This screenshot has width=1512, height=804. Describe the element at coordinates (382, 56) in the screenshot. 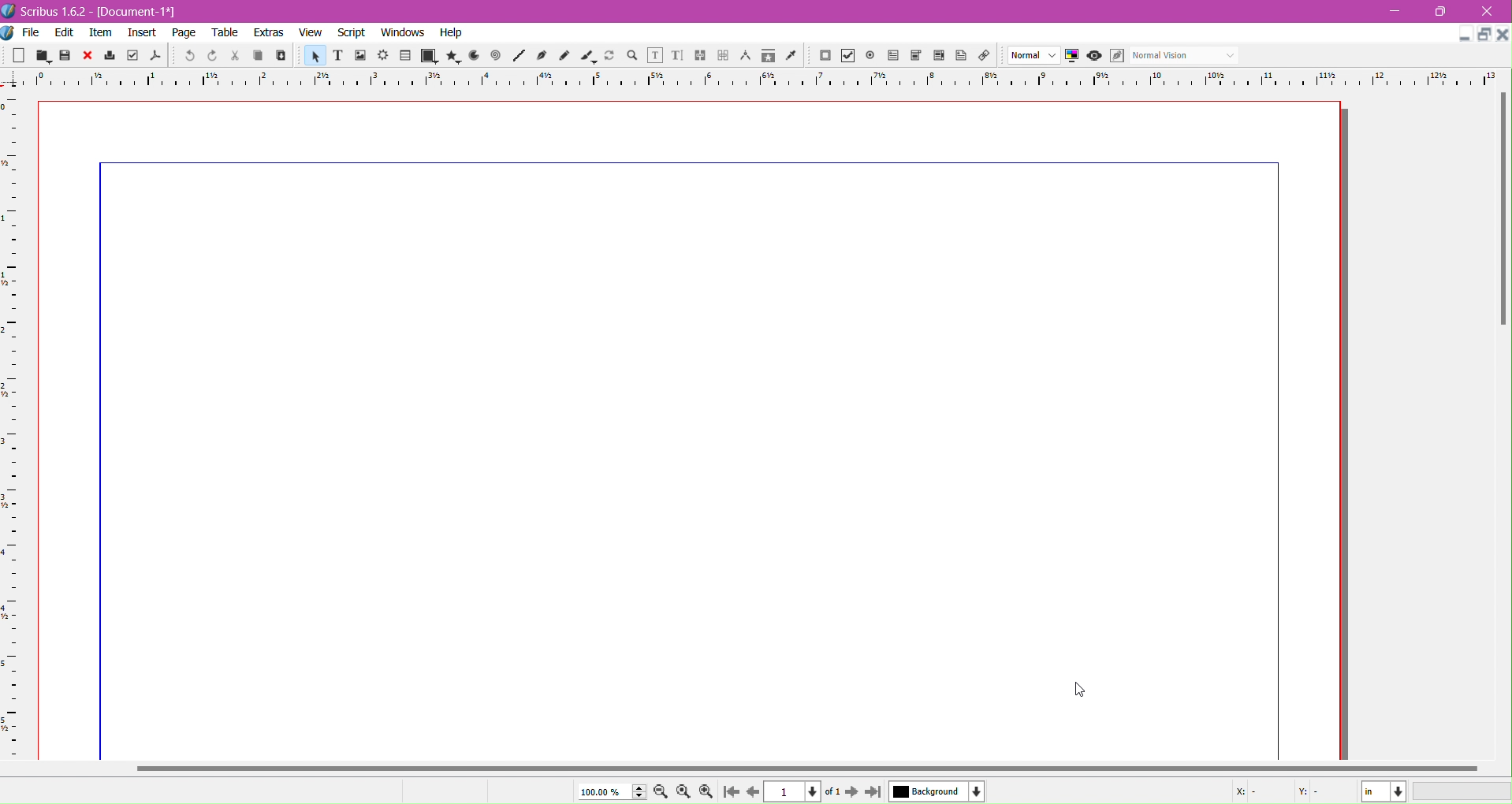

I see `render frame` at that location.